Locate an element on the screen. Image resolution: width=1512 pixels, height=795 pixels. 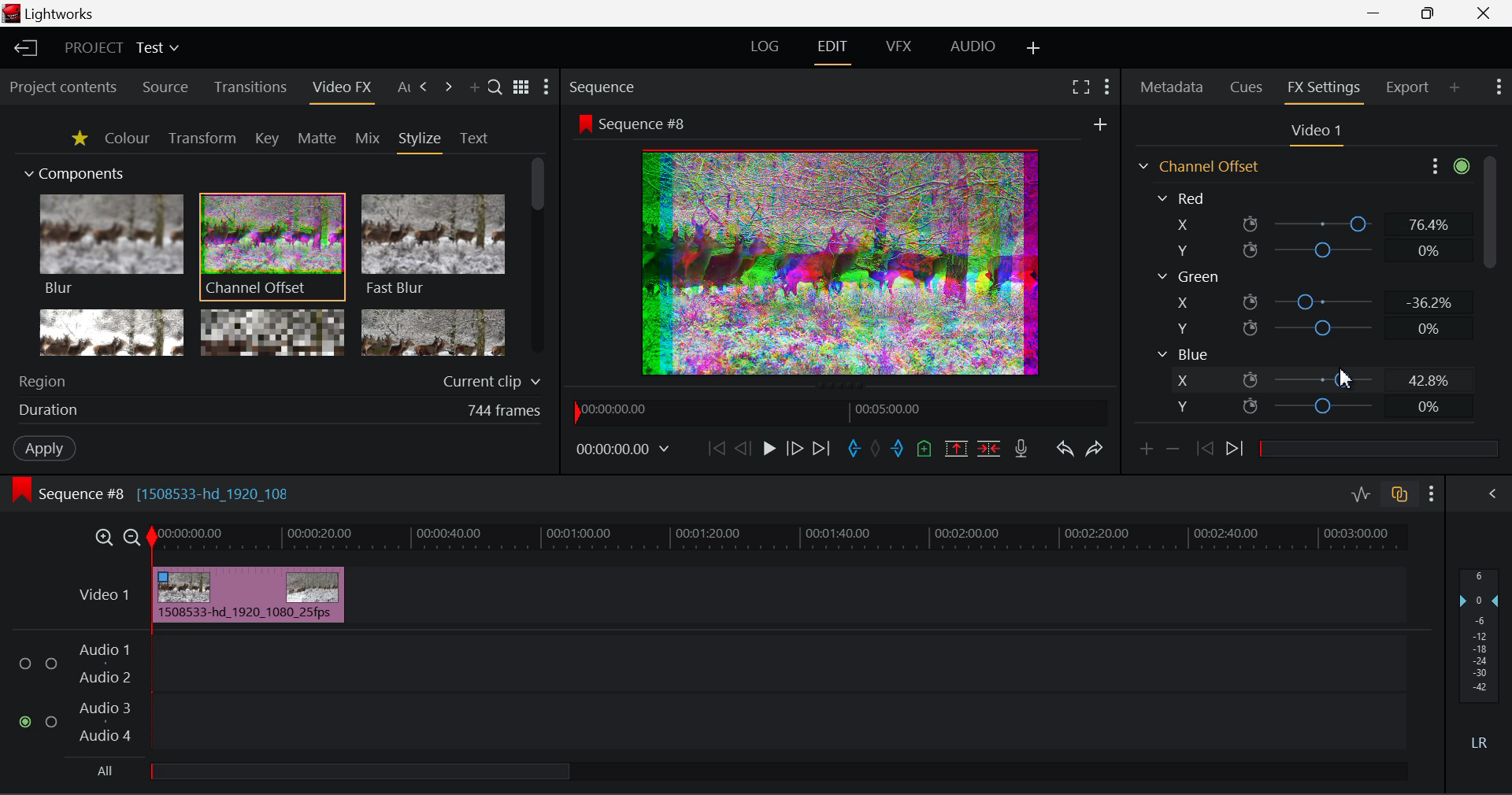
Show Settings is located at coordinates (1498, 87).